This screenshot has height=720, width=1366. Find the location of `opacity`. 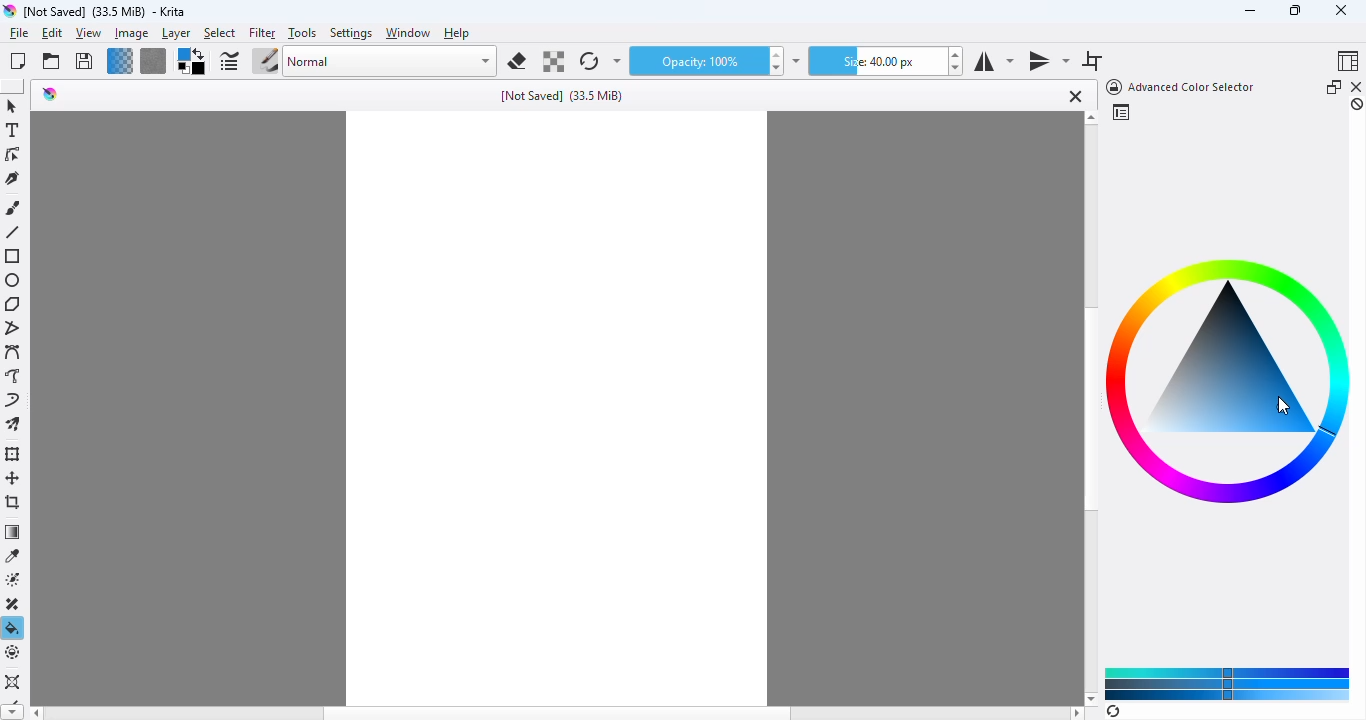

opacity is located at coordinates (695, 61).